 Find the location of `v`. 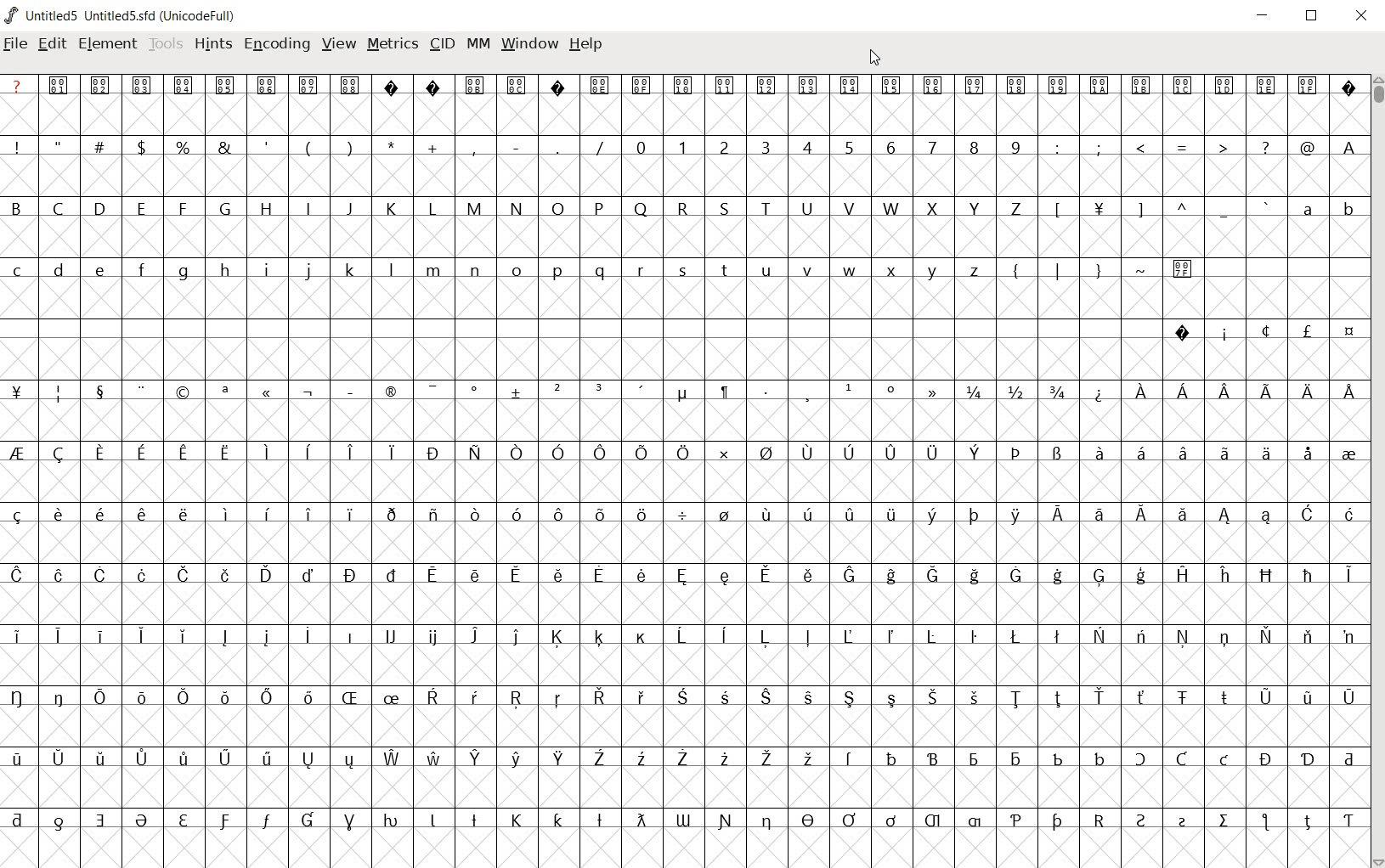

v is located at coordinates (808, 270).